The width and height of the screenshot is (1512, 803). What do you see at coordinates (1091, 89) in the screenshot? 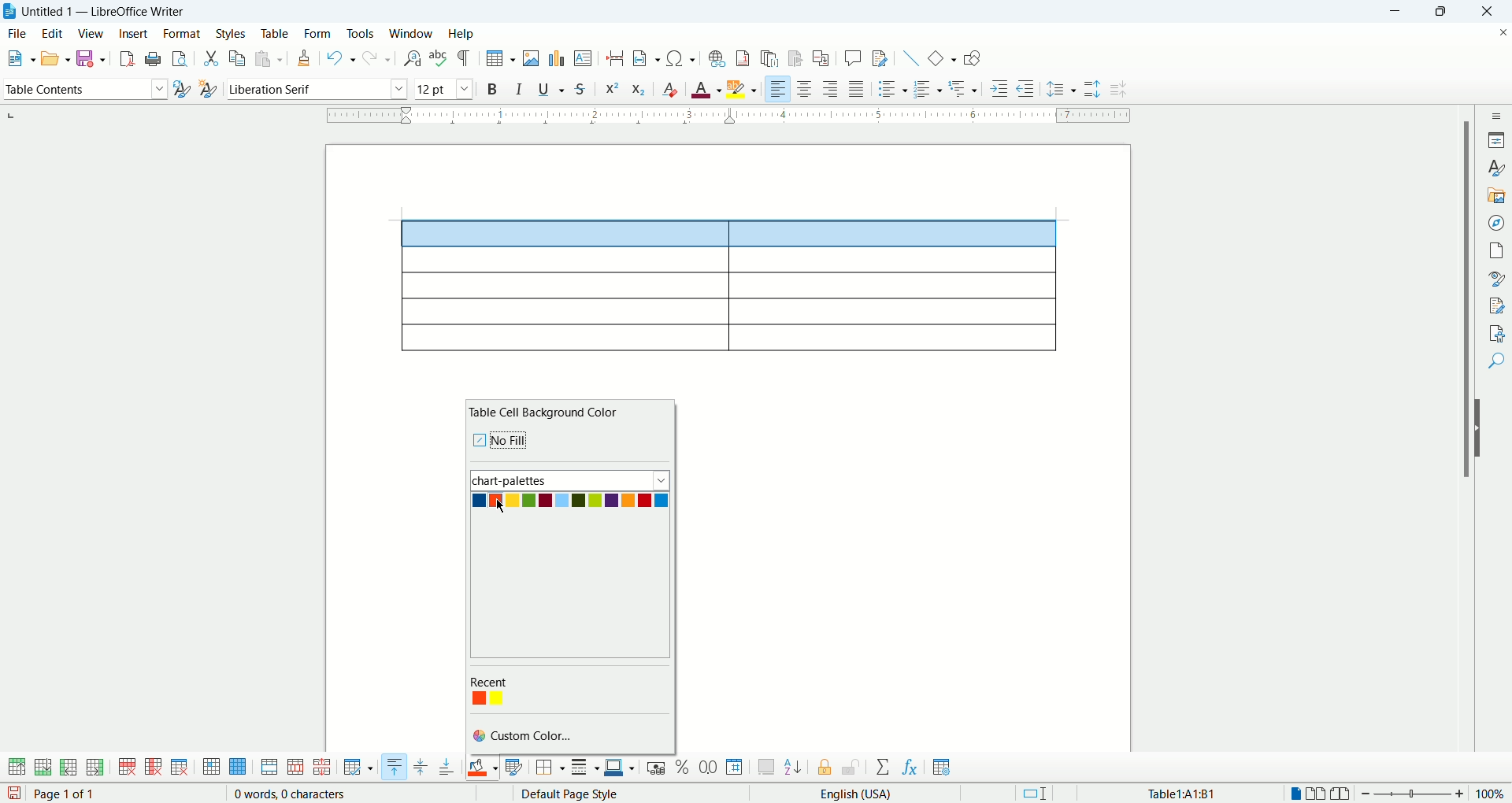
I see `increase paragraph spacing` at bounding box center [1091, 89].